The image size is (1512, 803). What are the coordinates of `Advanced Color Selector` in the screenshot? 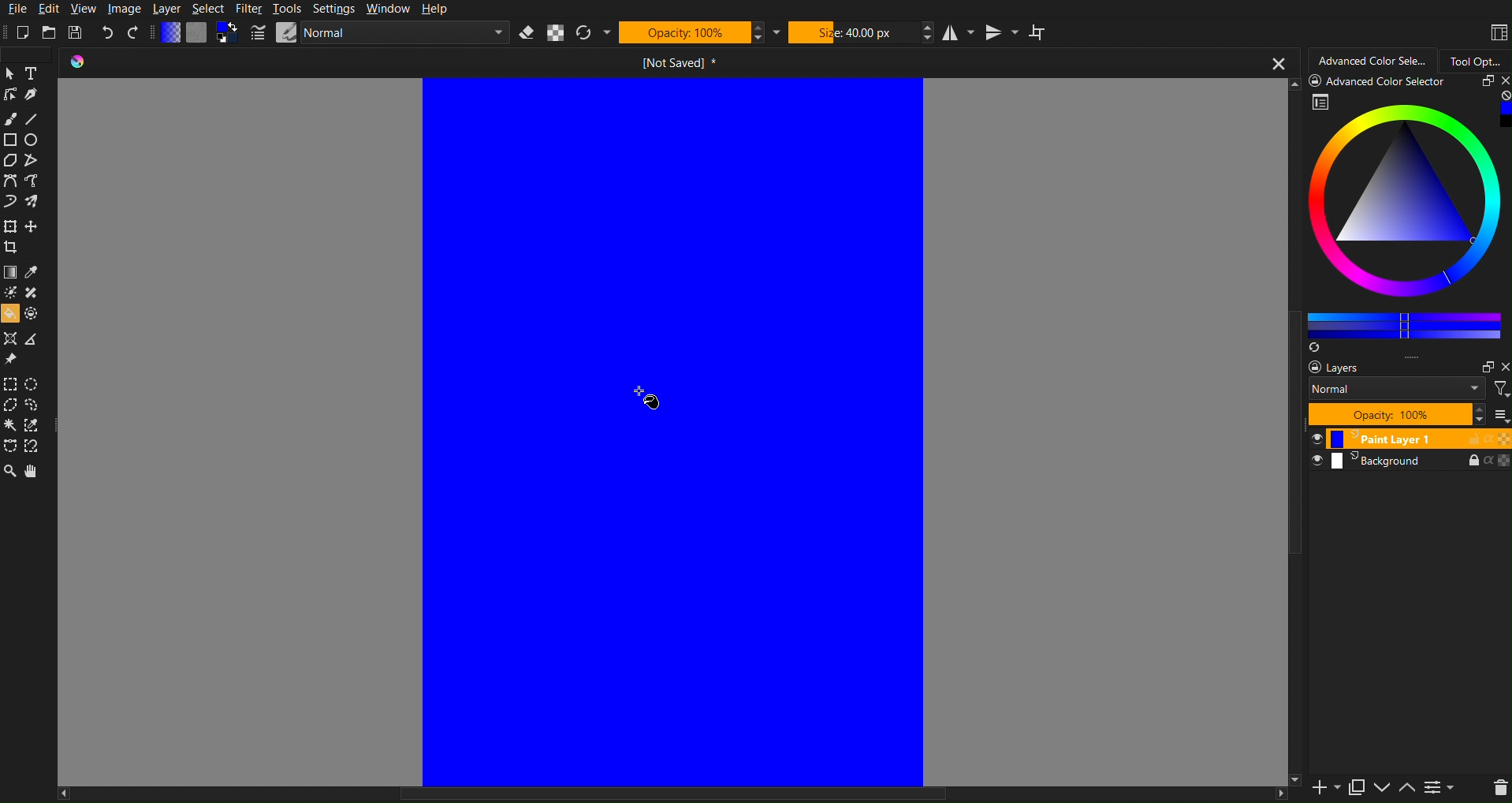 It's located at (1372, 58).